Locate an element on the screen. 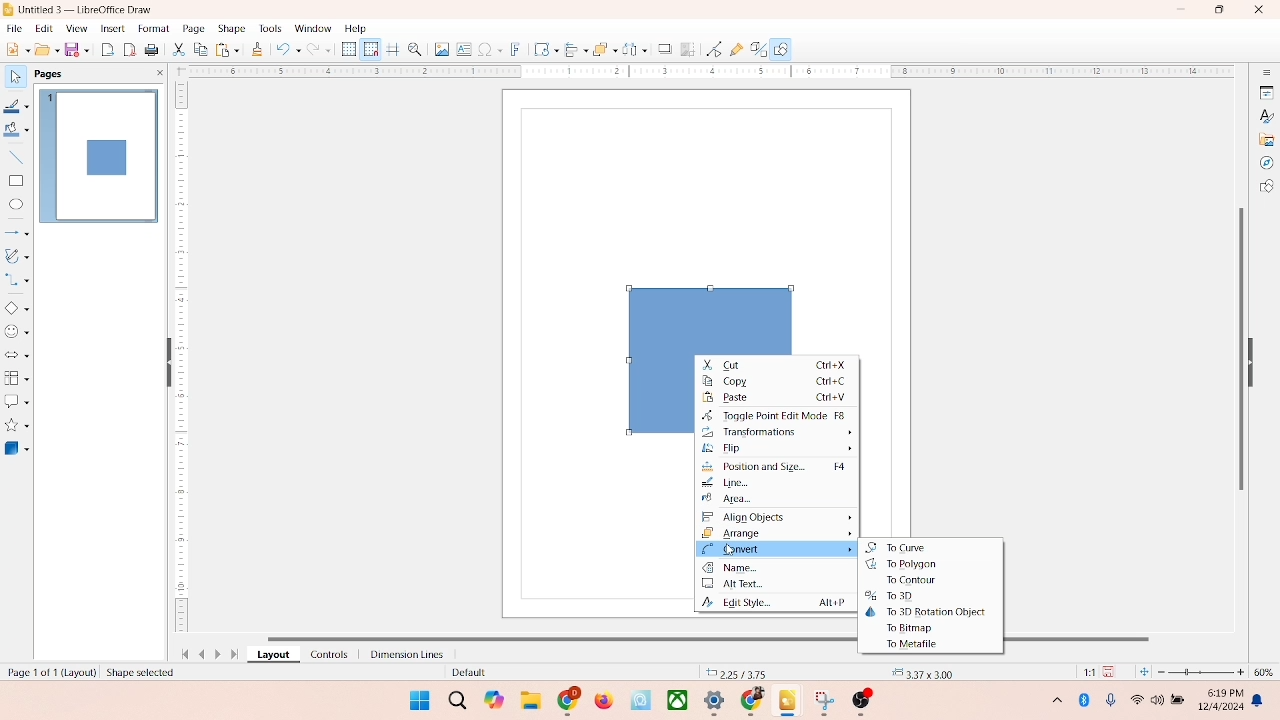 The width and height of the screenshot is (1280, 720). copilot is located at coordinates (496, 700).